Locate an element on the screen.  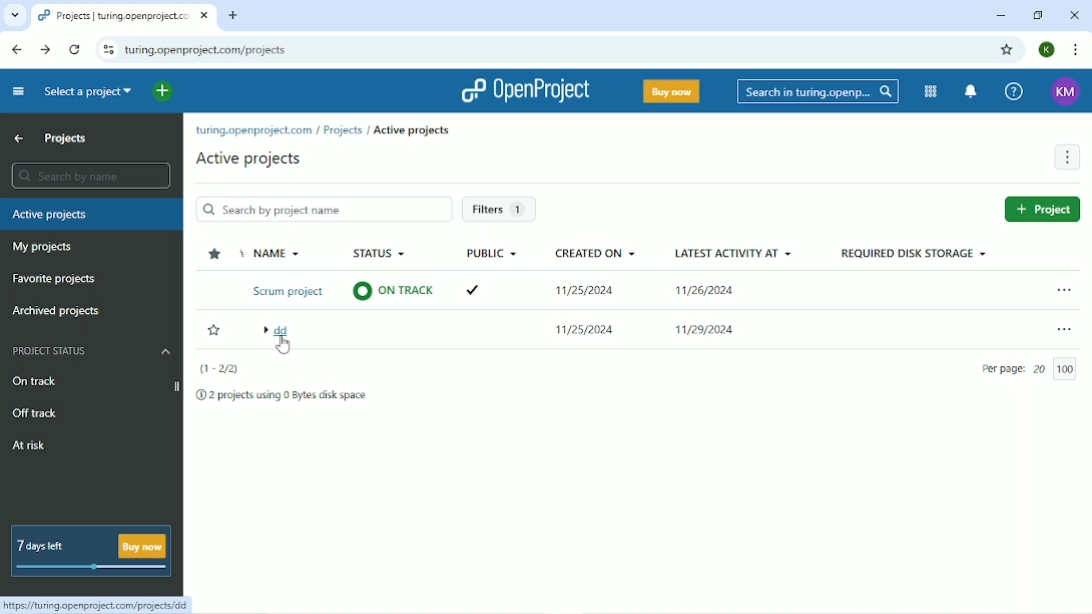
7 days left is located at coordinates (90, 548).